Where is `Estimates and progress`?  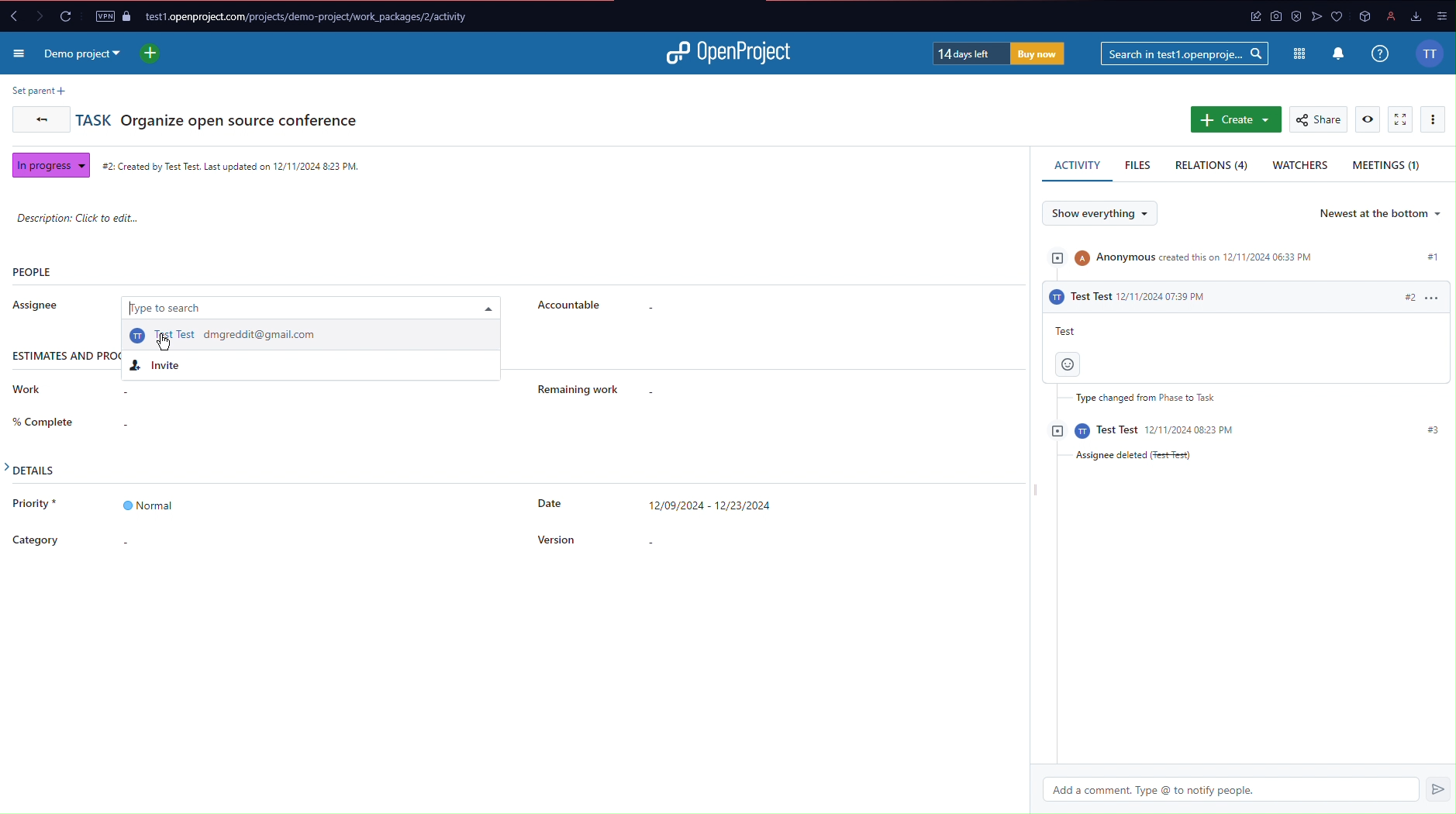 Estimates and progress is located at coordinates (60, 353).